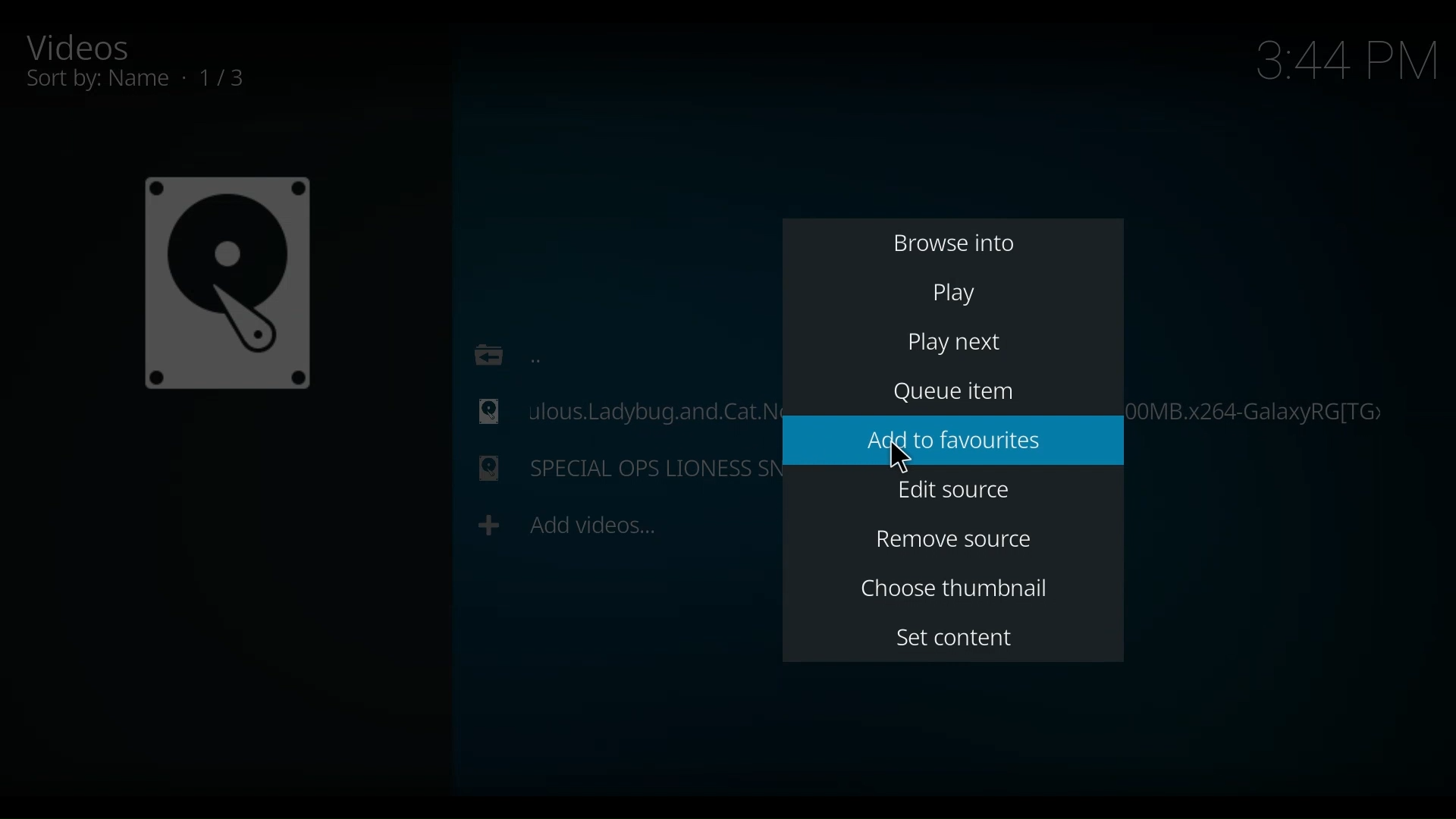 This screenshot has width=1456, height=819. I want to click on Choose thumbnail, so click(959, 587).